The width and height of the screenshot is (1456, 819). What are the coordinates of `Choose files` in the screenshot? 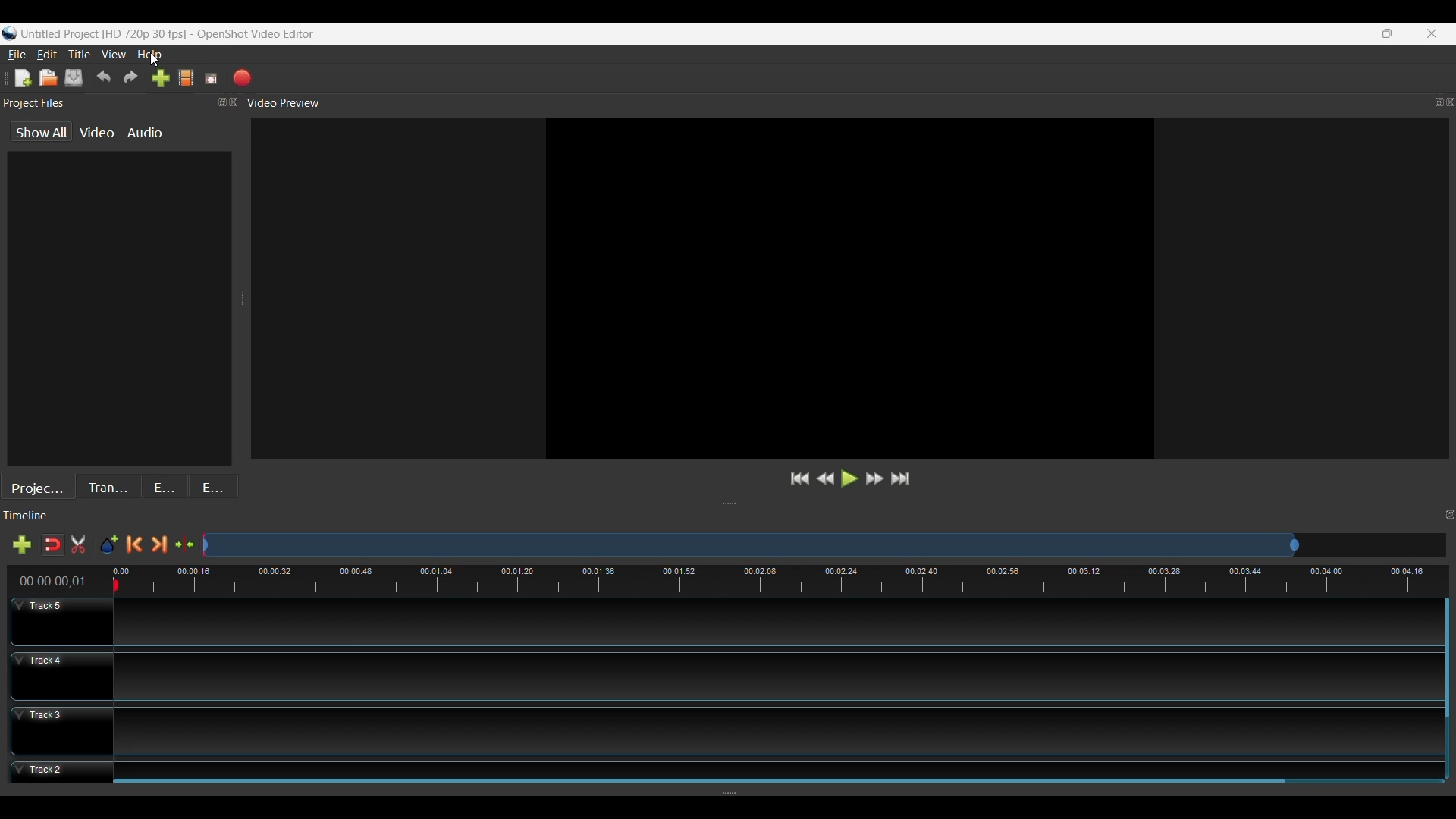 It's located at (186, 78).